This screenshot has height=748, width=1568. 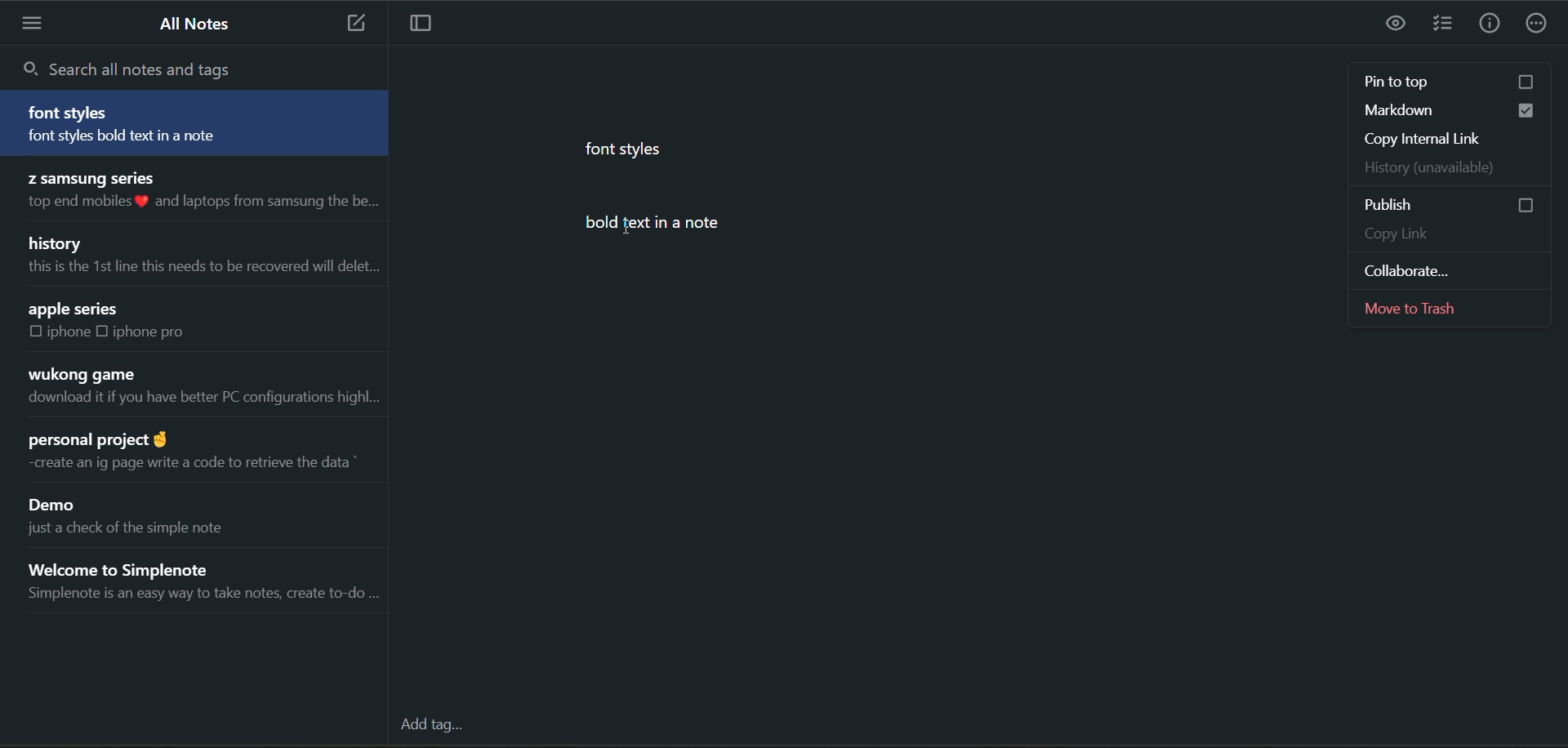 I want to click on copy internal link, so click(x=1450, y=137).